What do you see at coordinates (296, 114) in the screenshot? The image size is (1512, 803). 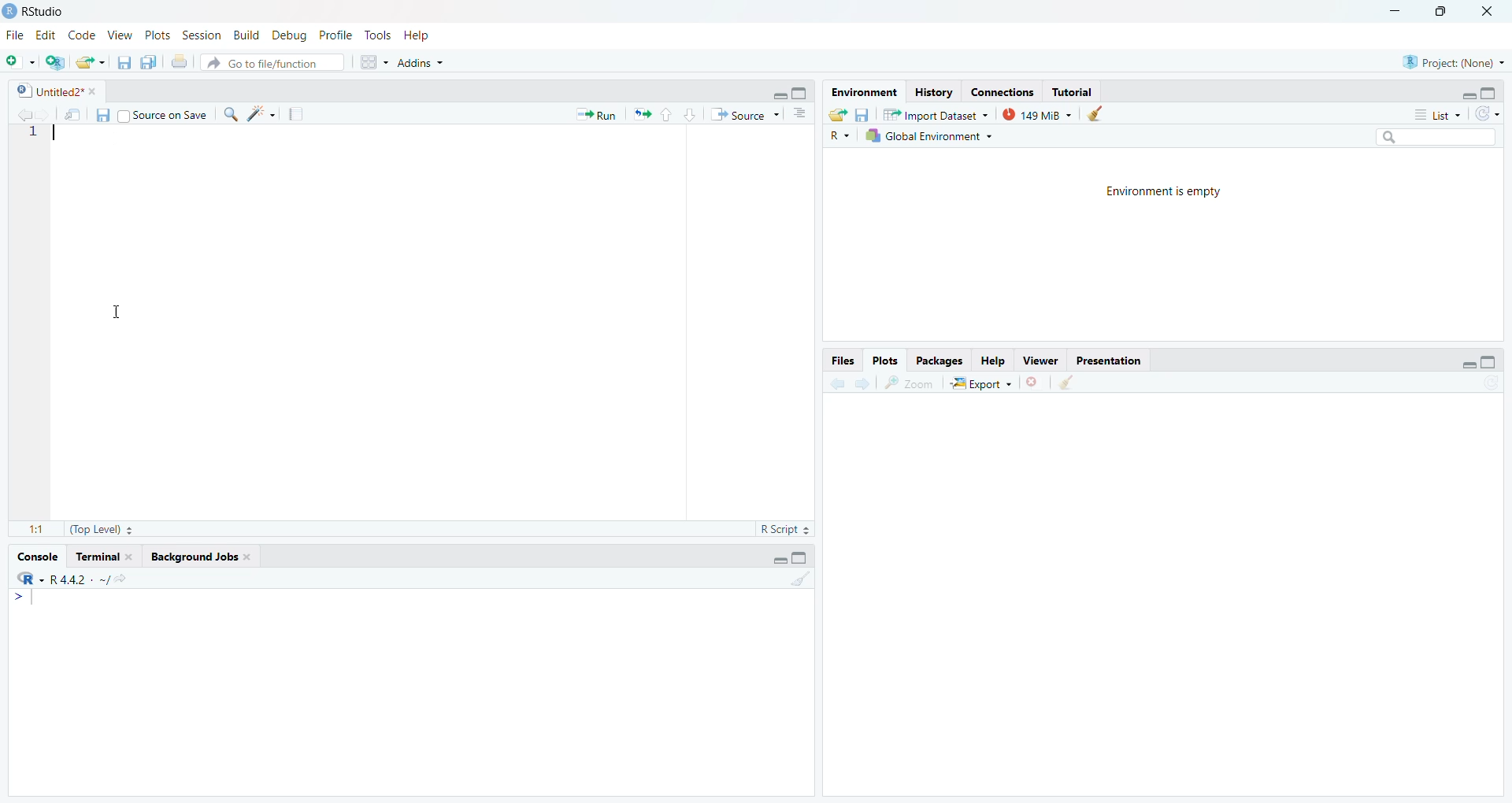 I see `Compile Report (Ctrl + Shift + K)` at bounding box center [296, 114].